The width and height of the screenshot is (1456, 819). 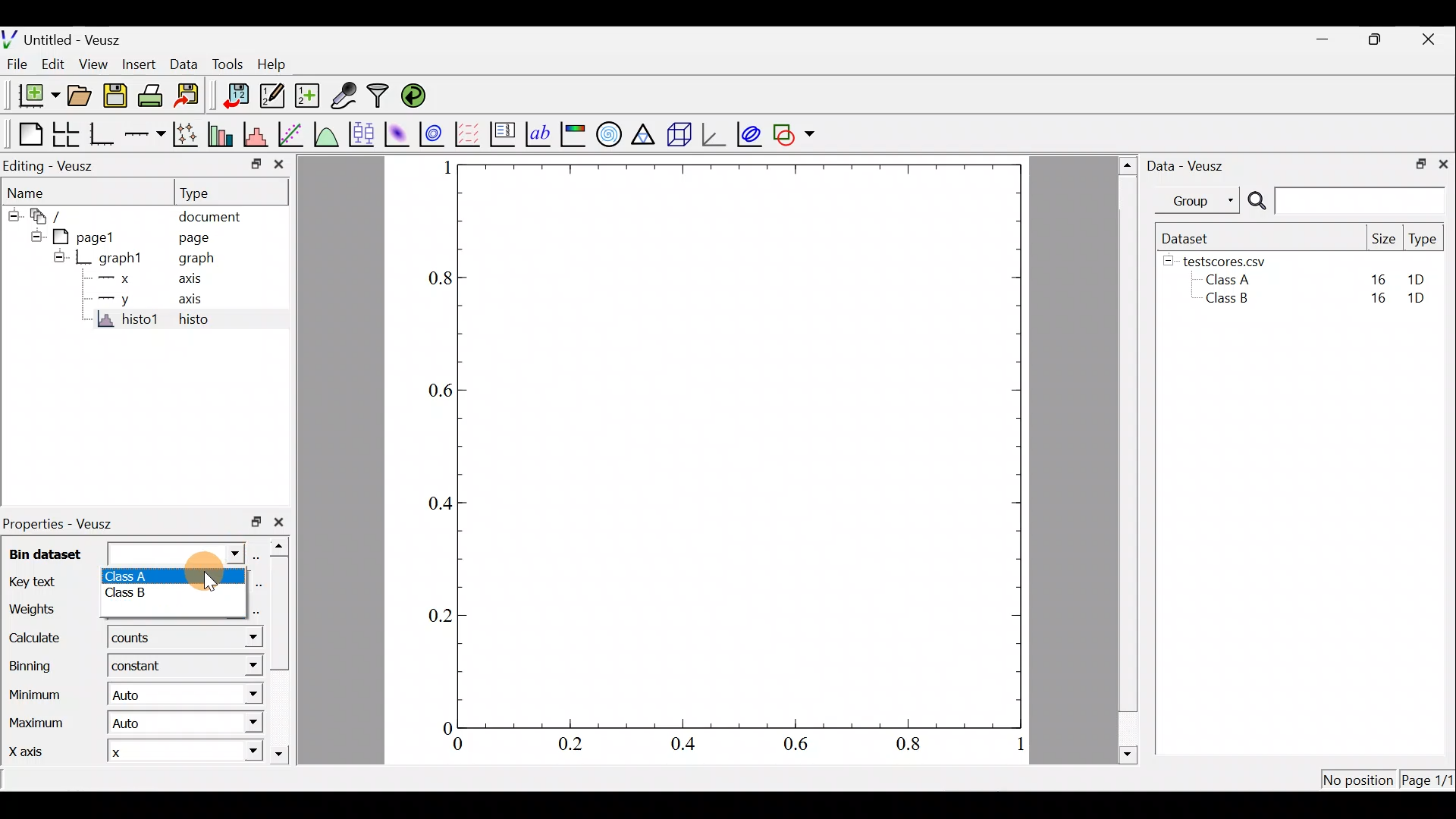 What do you see at coordinates (39, 639) in the screenshot?
I see `Calculate` at bounding box center [39, 639].